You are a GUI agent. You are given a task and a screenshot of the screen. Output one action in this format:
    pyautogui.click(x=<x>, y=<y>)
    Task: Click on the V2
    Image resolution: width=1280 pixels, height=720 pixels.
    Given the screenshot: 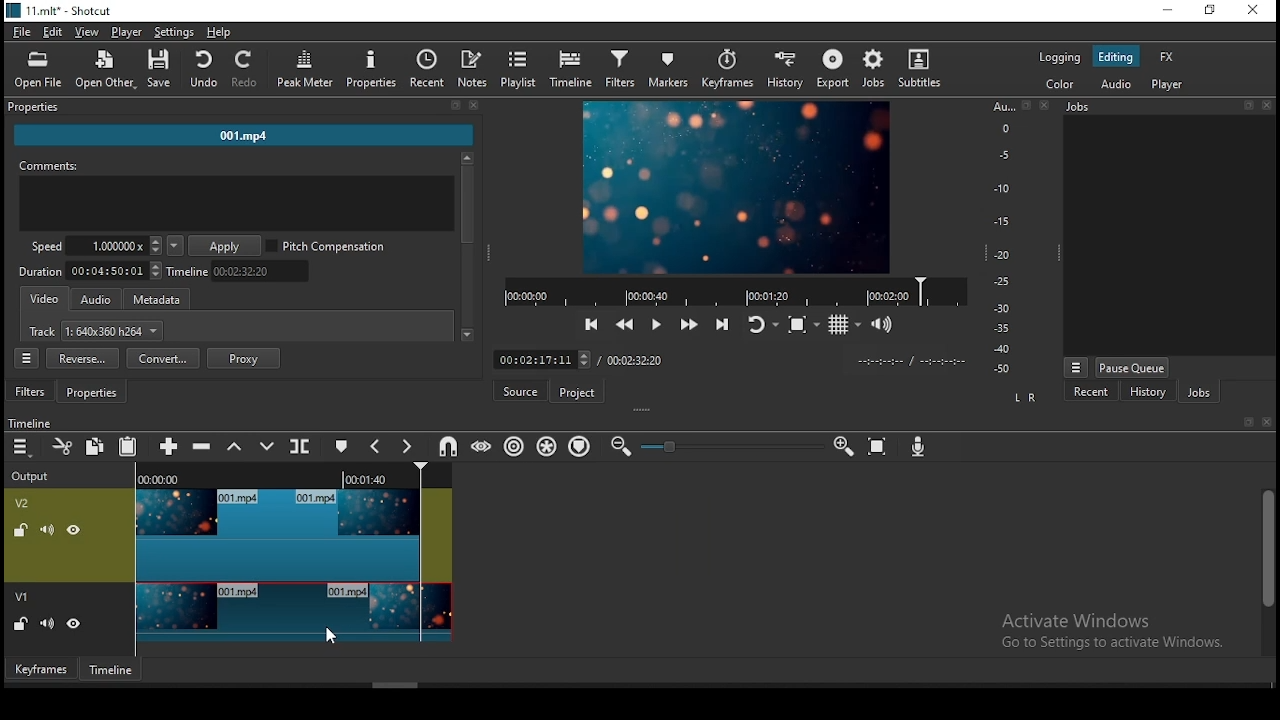 What is the action you would take?
    pyautogui.click(x=25, y=503)
    